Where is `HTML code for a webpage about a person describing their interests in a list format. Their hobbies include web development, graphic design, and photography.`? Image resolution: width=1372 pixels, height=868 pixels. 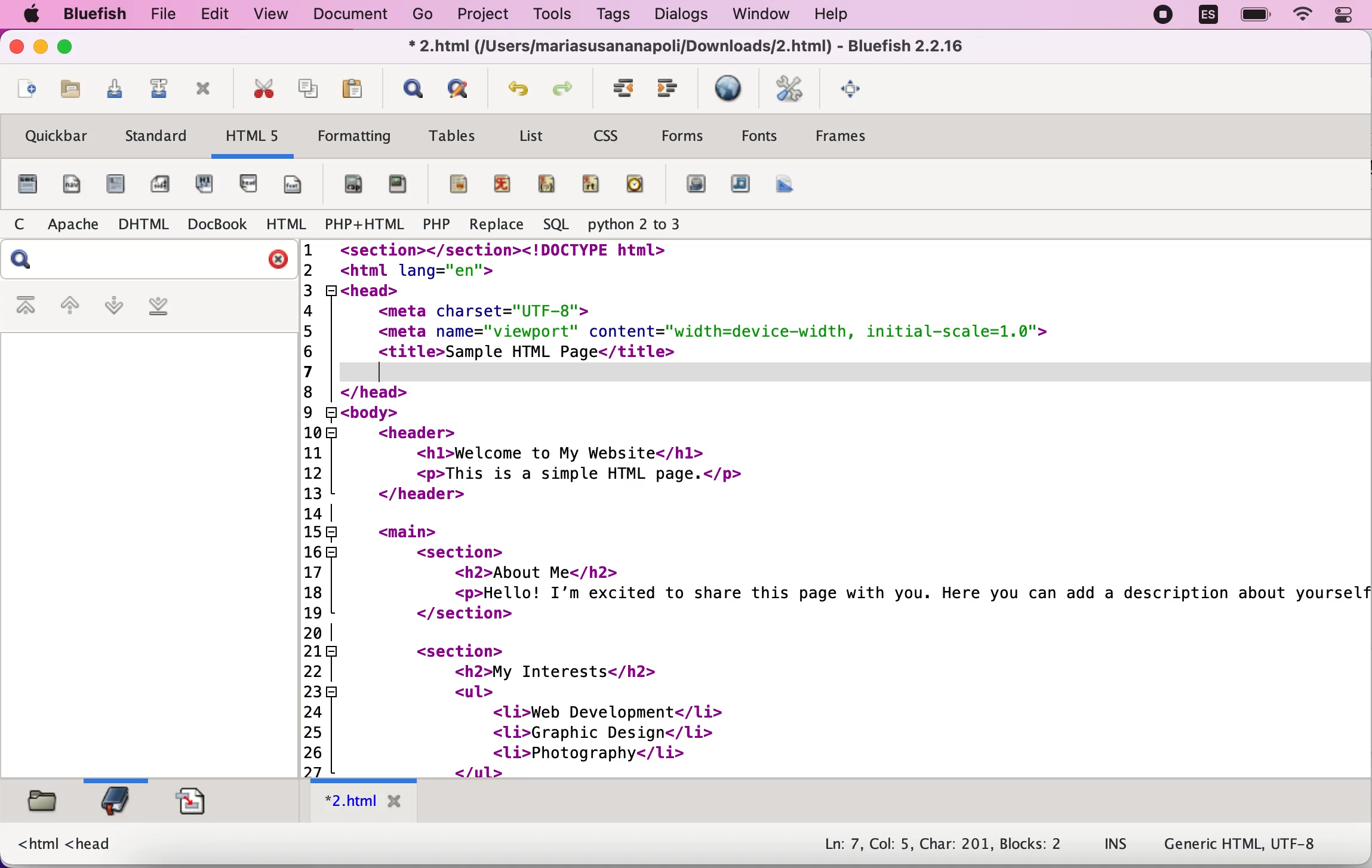
HTML code for a webpage about a person describing their interests in a list format. Their hobbies include web development, graphic design, and photography. is located at coordinates (836, 503).